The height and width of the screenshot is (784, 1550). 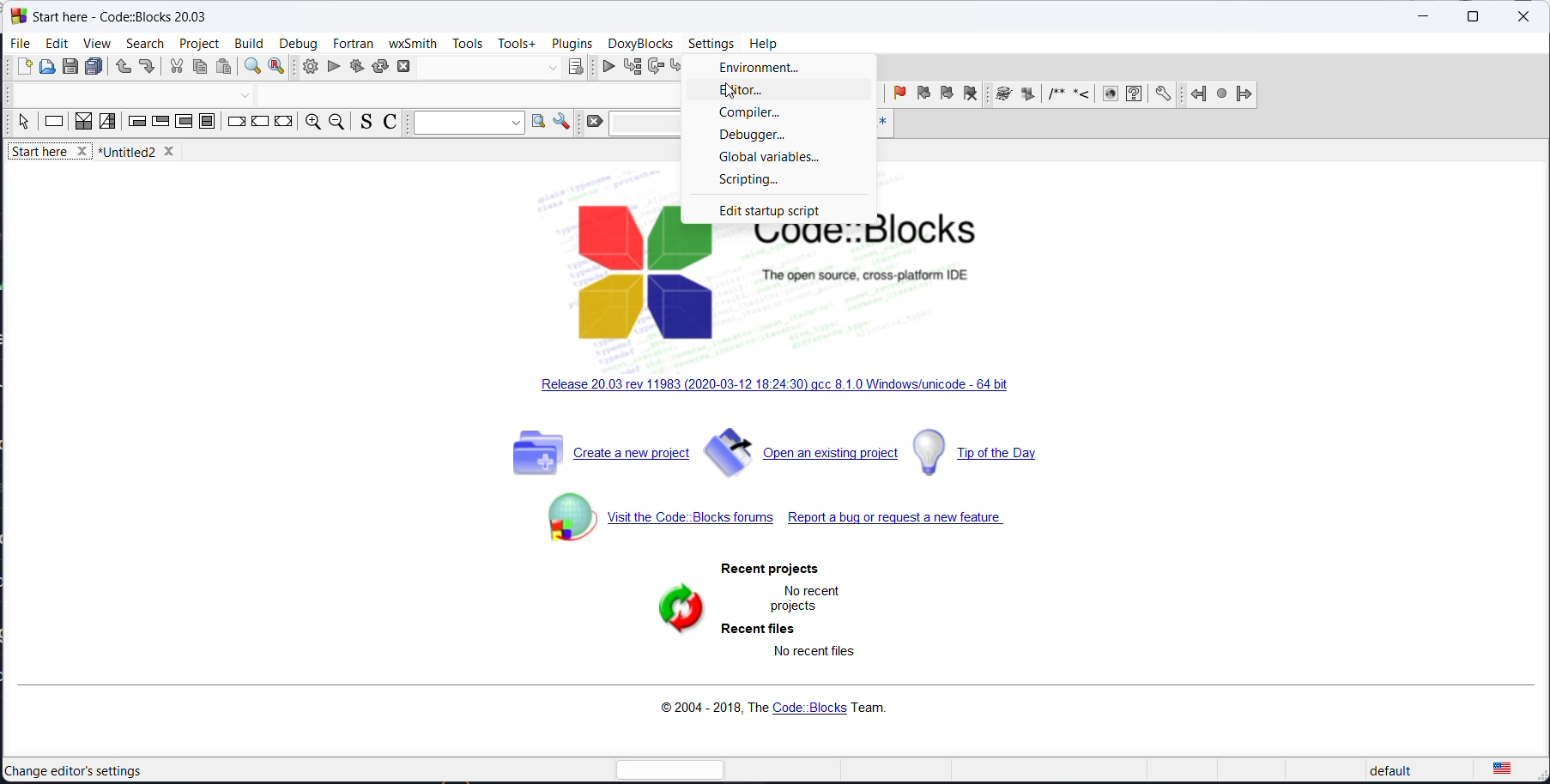 What do you see at coordinates (468, 45) in the screenshot?
I see `tools` at bounding box center [468, 45].